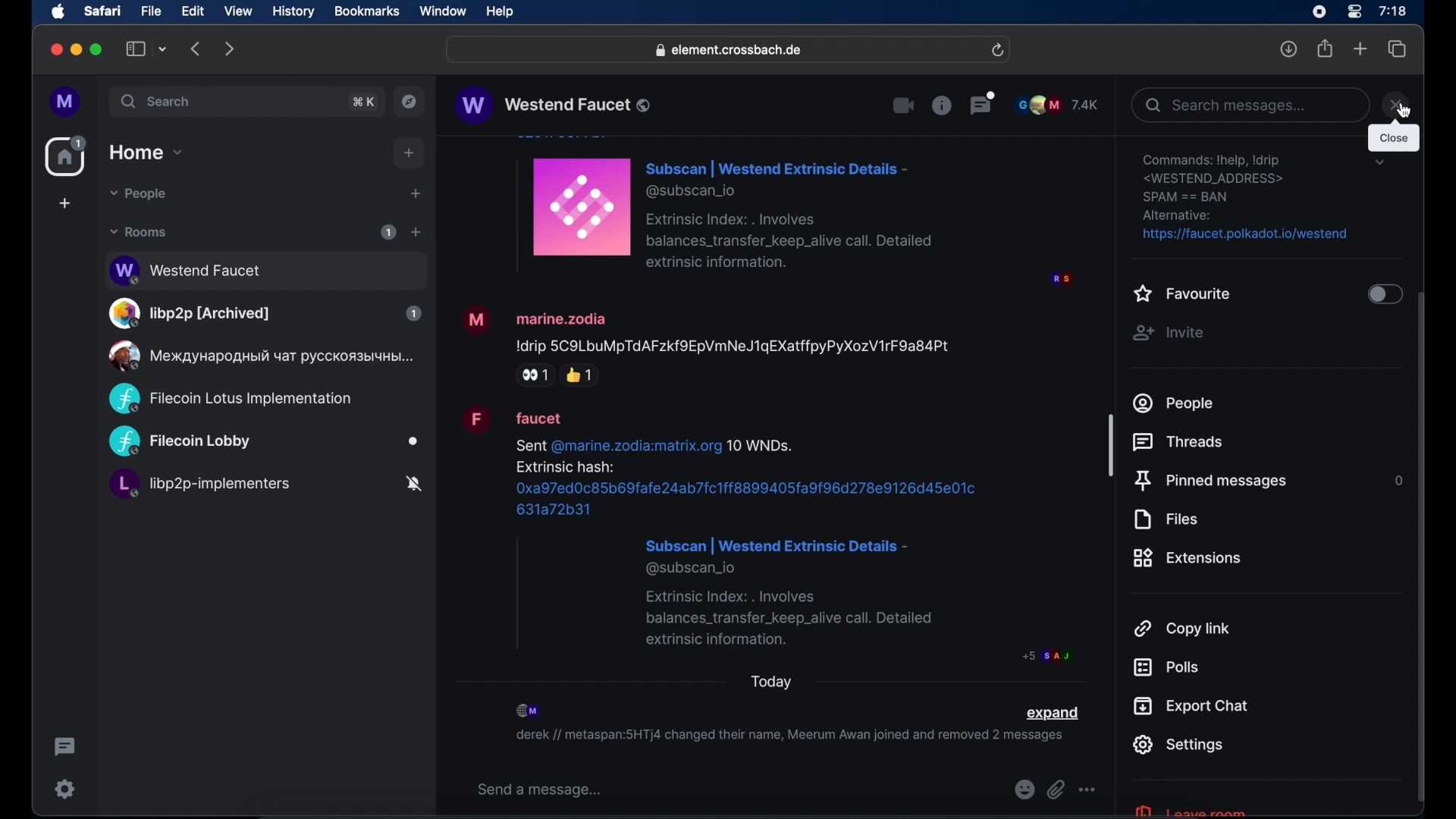 The height and width of the screenshot is (819, 1456). What do you see at coordinates (1181, 442) in the screenshot?
I see `threads` at bounding box center [1181, 442].